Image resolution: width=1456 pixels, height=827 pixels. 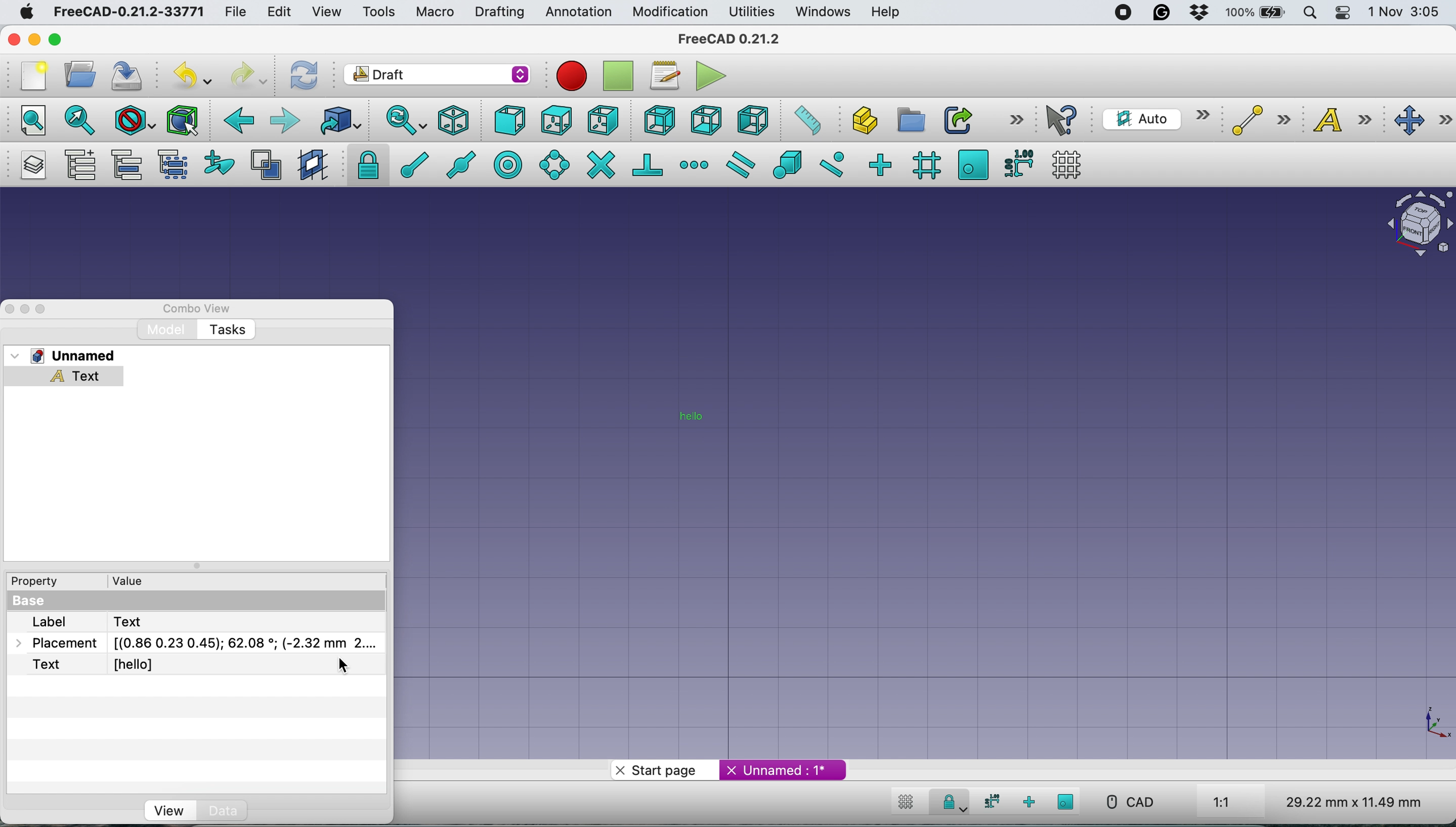 I want to click on toggle grid, so click(x=1067, y=165).